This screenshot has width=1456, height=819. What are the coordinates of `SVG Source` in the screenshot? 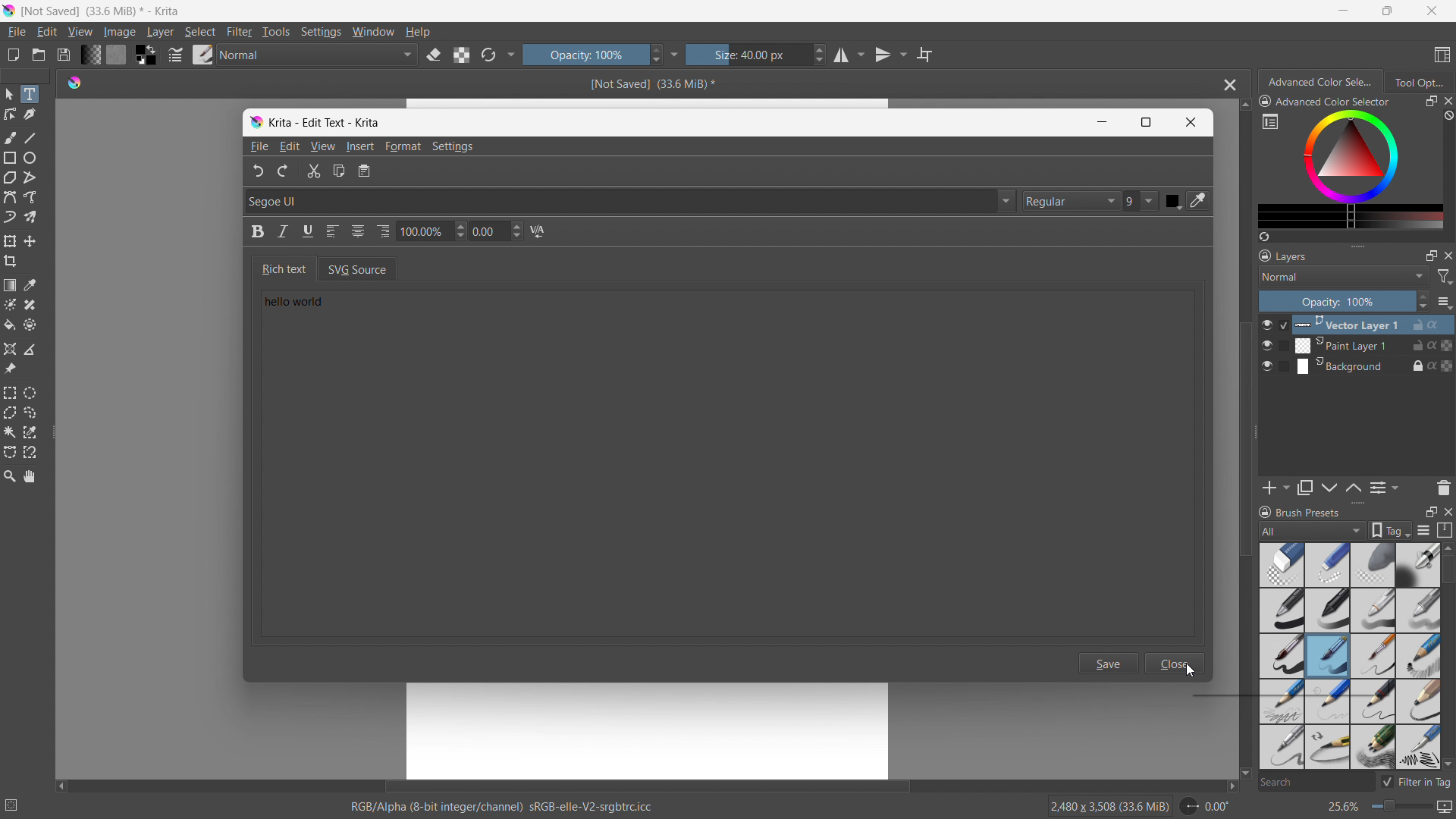 It's located at (368, 268).